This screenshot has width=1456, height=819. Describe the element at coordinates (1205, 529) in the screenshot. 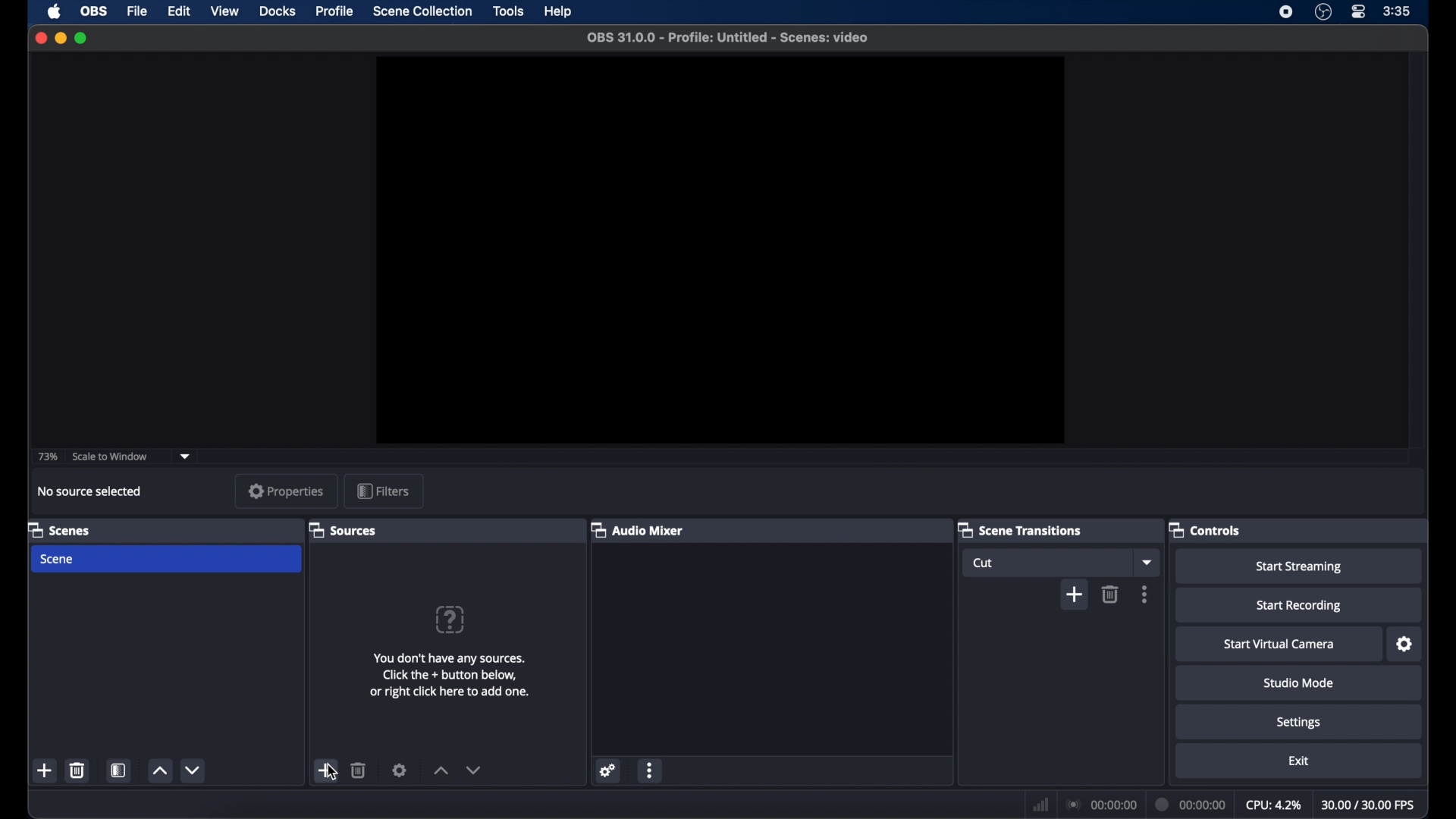

I see `controls` at that location.